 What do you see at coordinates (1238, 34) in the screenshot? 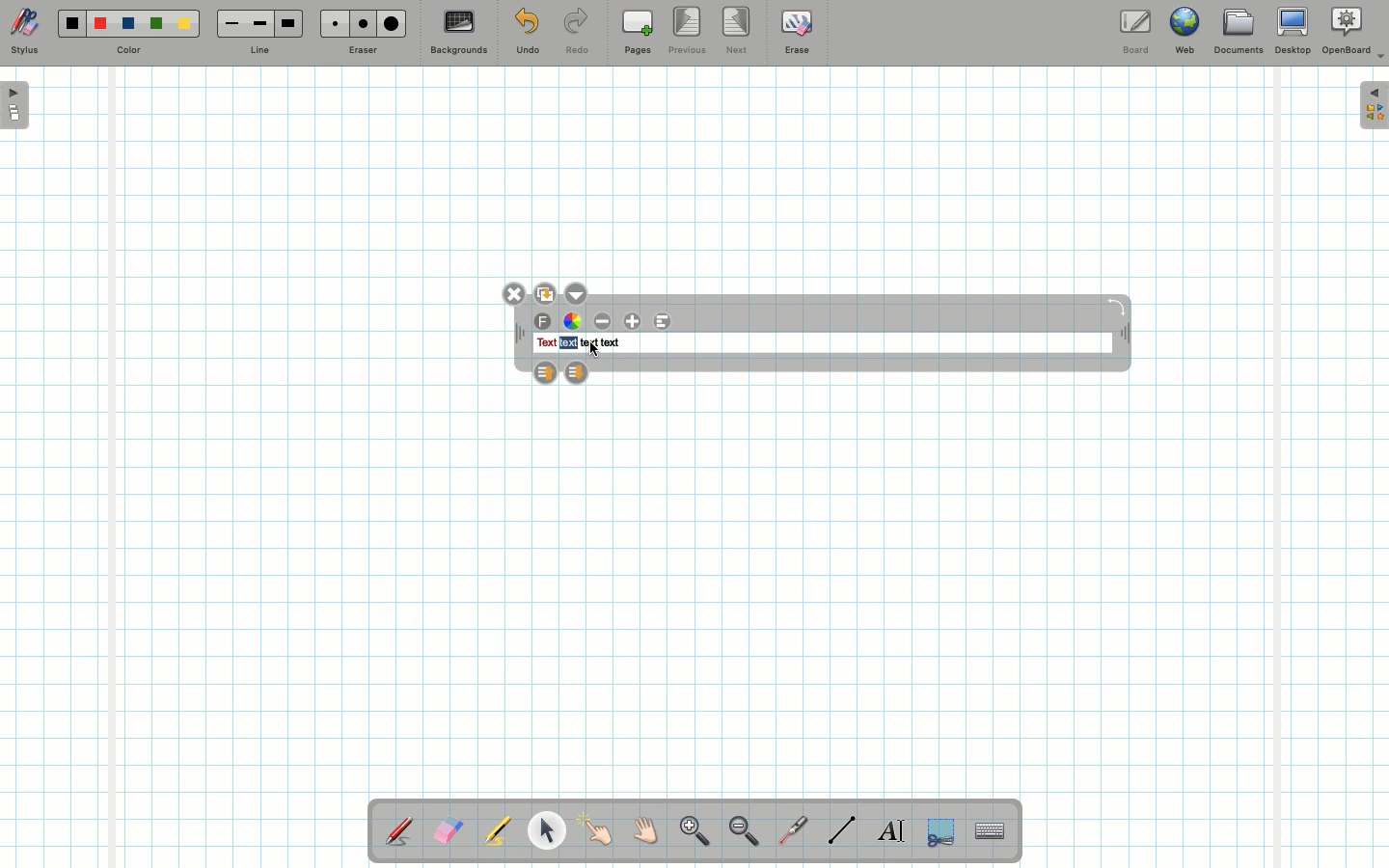
I see `Documents` at bounding box center [1238, 34].